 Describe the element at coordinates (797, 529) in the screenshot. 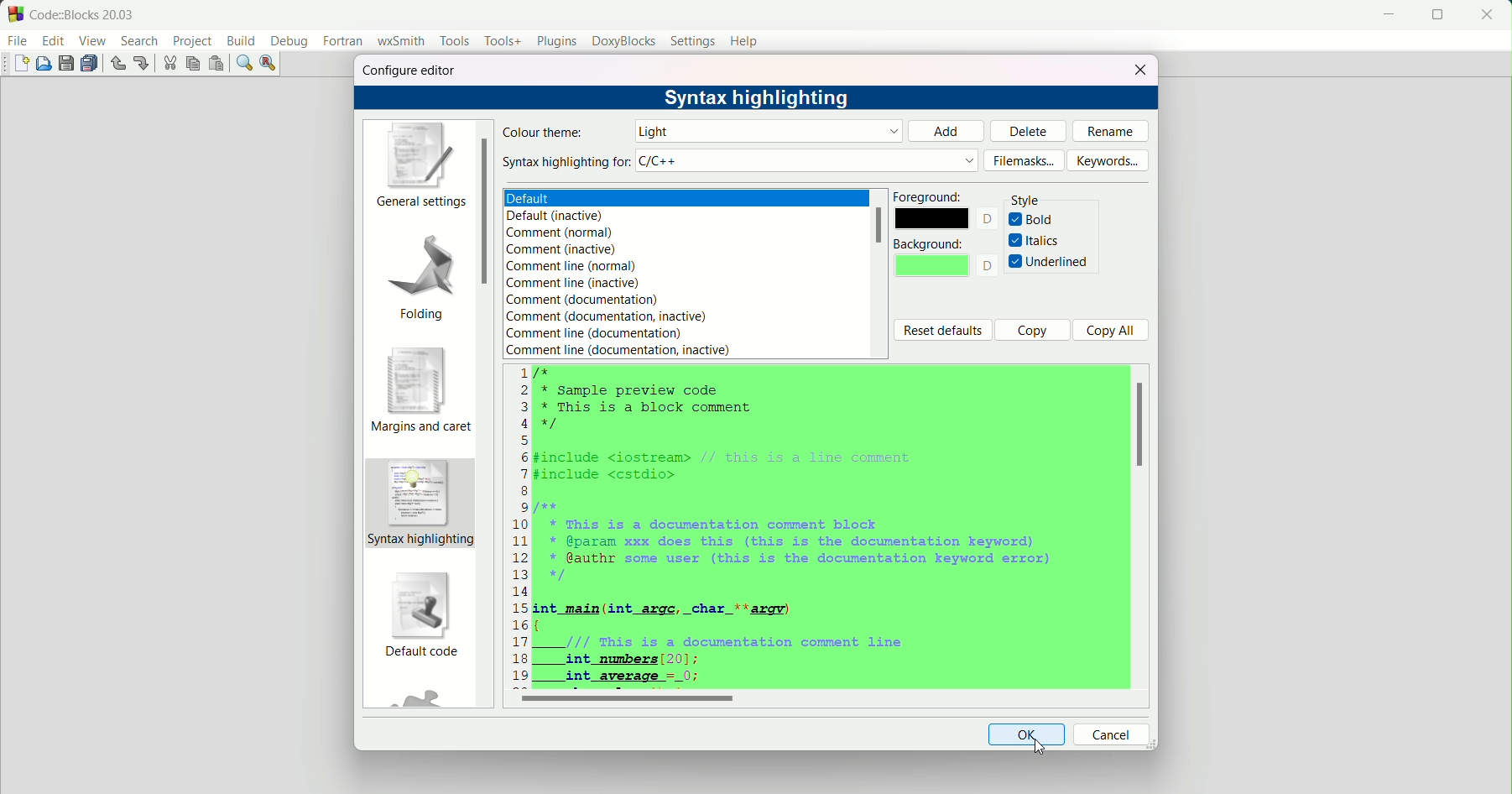

I see `code` at that location.